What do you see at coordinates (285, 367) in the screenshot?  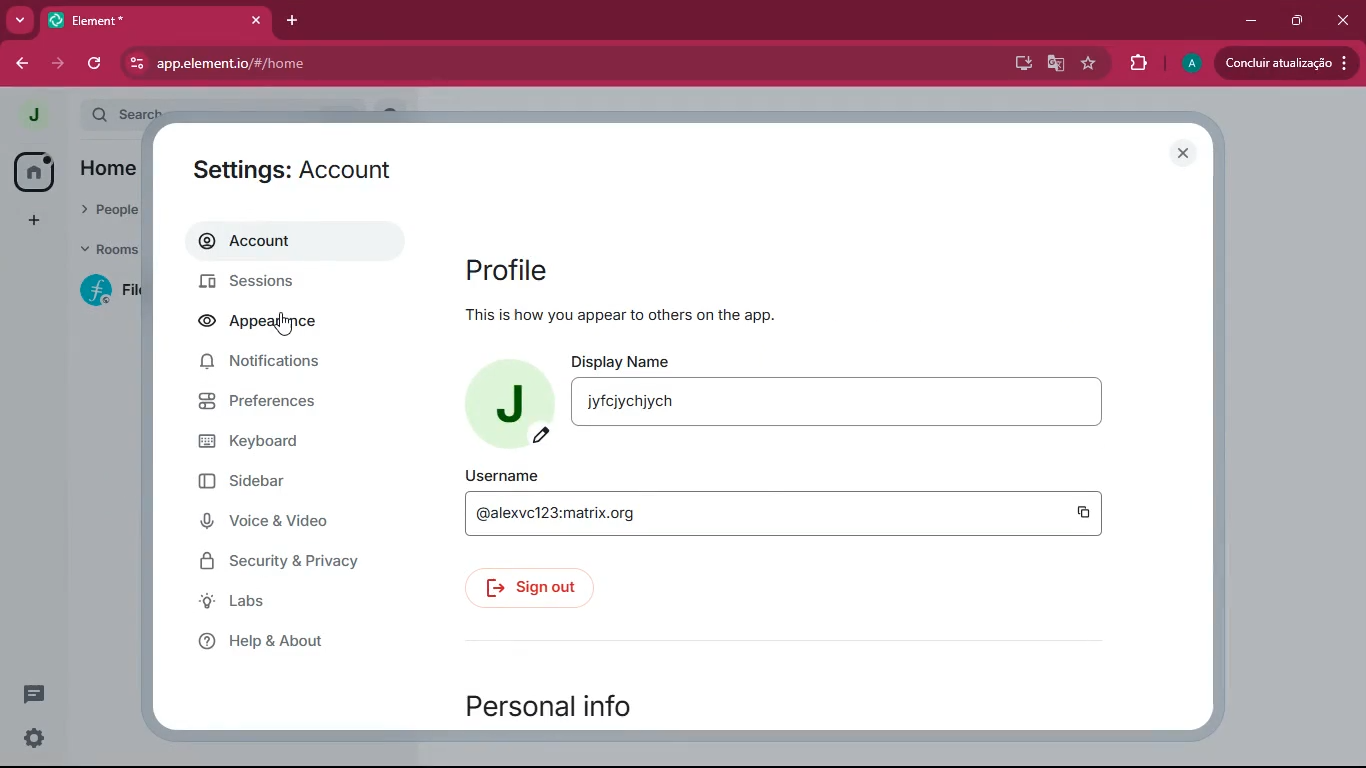 I see `notifications` at bounding box center [285, 367].